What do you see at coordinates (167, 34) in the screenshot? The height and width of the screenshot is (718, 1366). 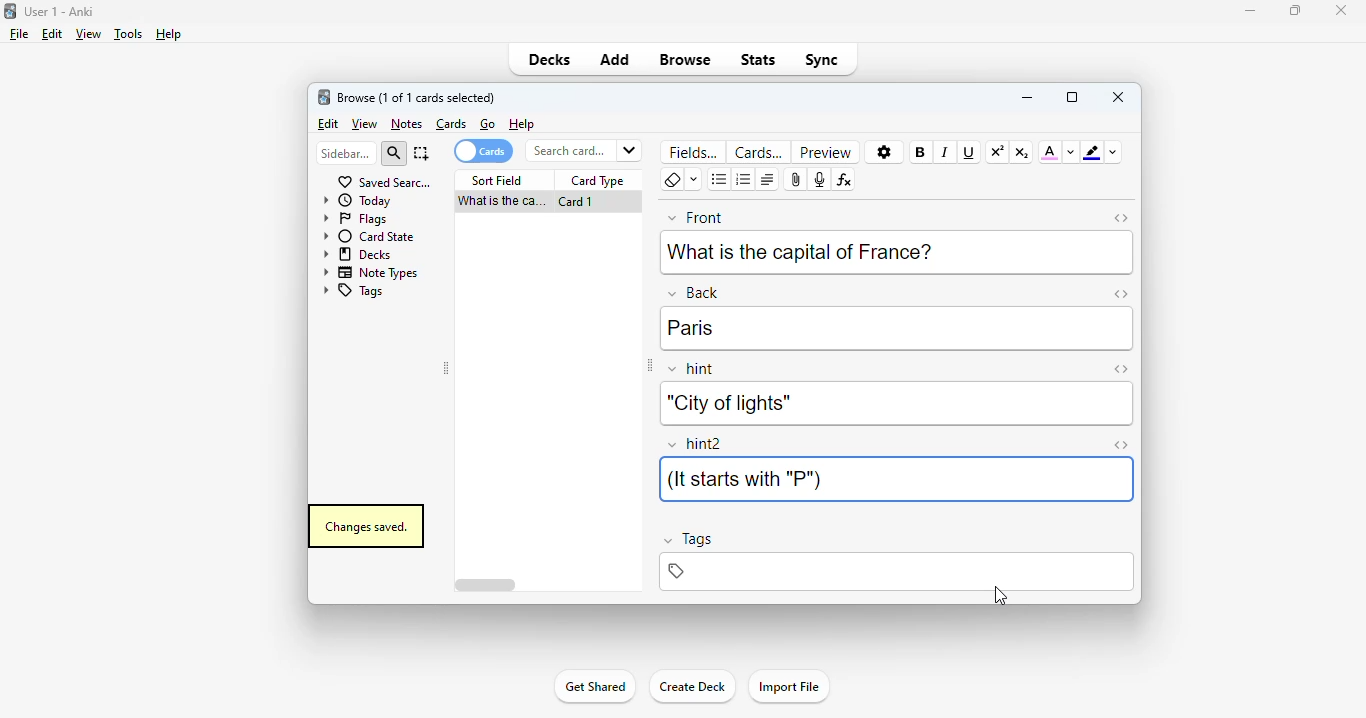 I see `help` at bounding box center [167, 34].